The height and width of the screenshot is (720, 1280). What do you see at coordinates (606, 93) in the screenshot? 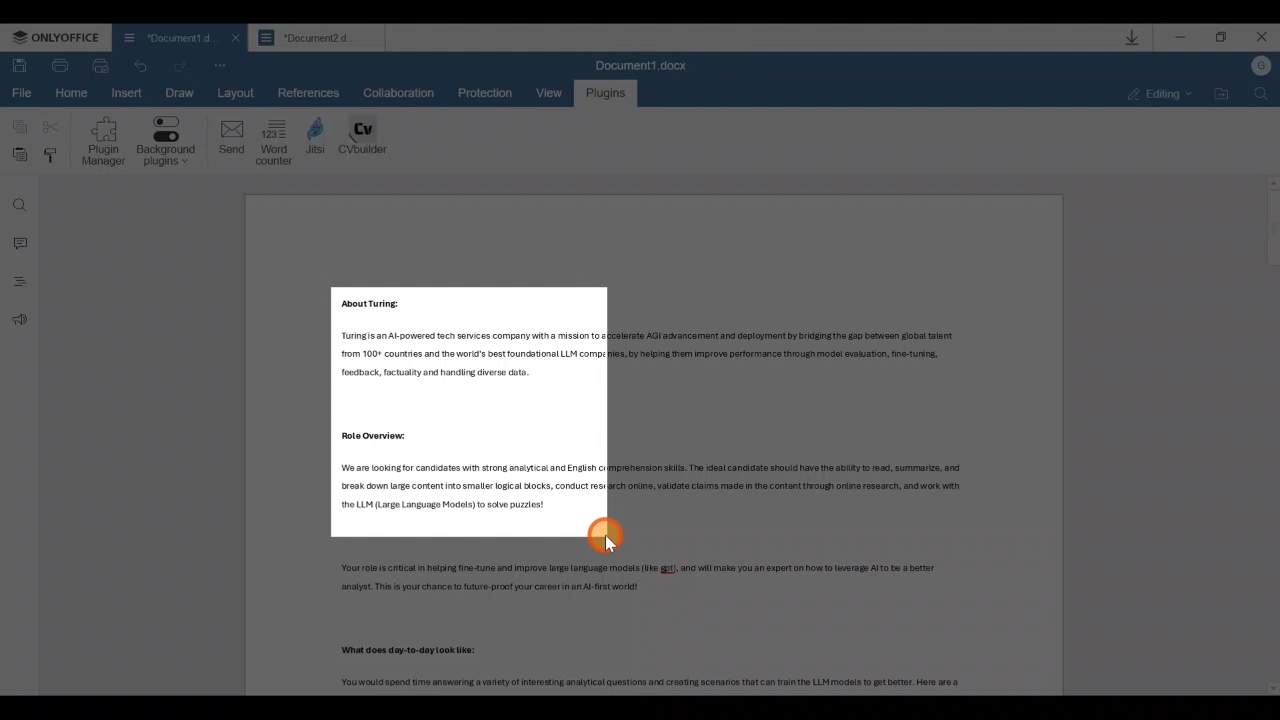
I see `Plugins` at bounding box center [606, 93].